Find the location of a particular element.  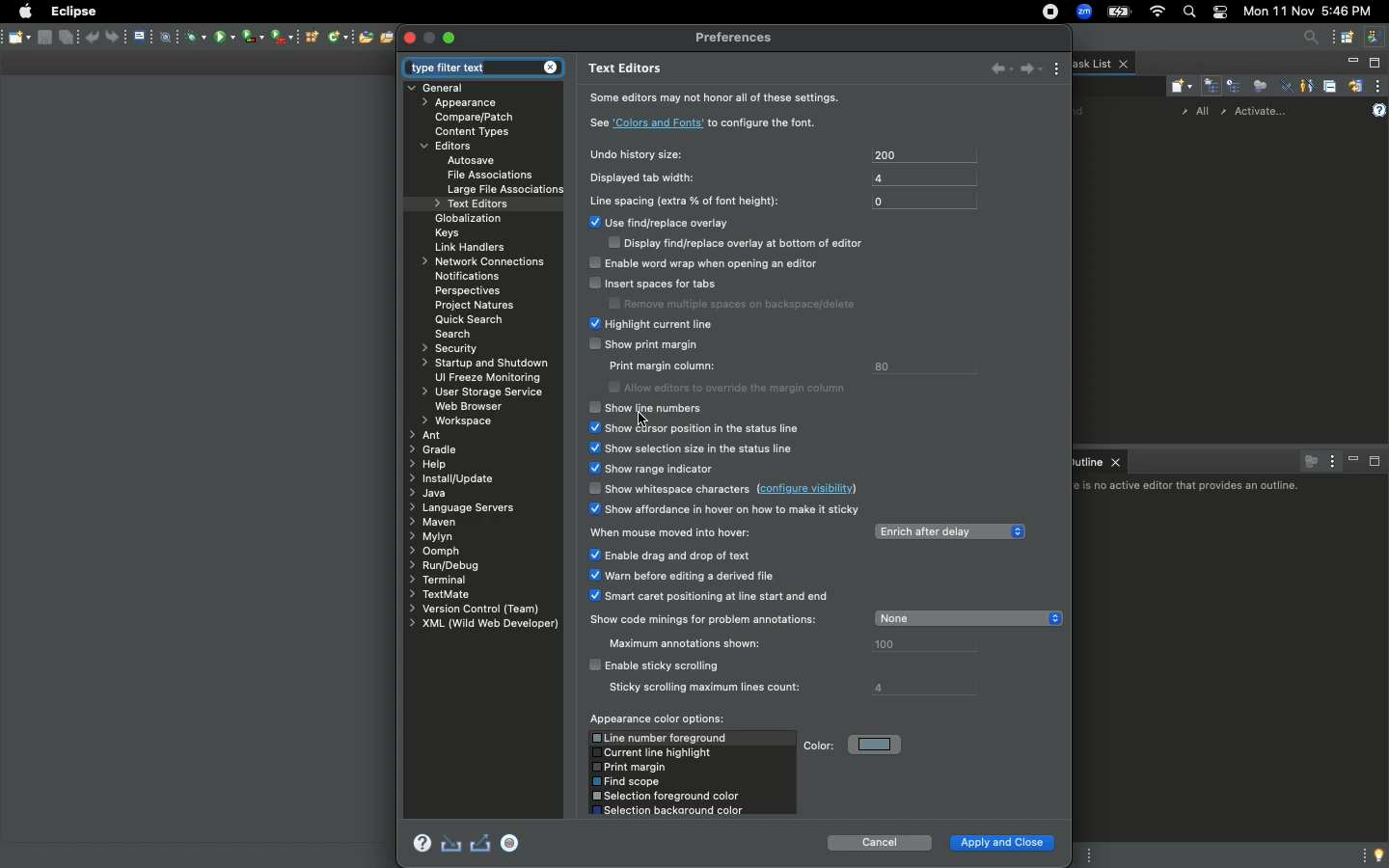

Minimize is located at coordinates (1353, 461).